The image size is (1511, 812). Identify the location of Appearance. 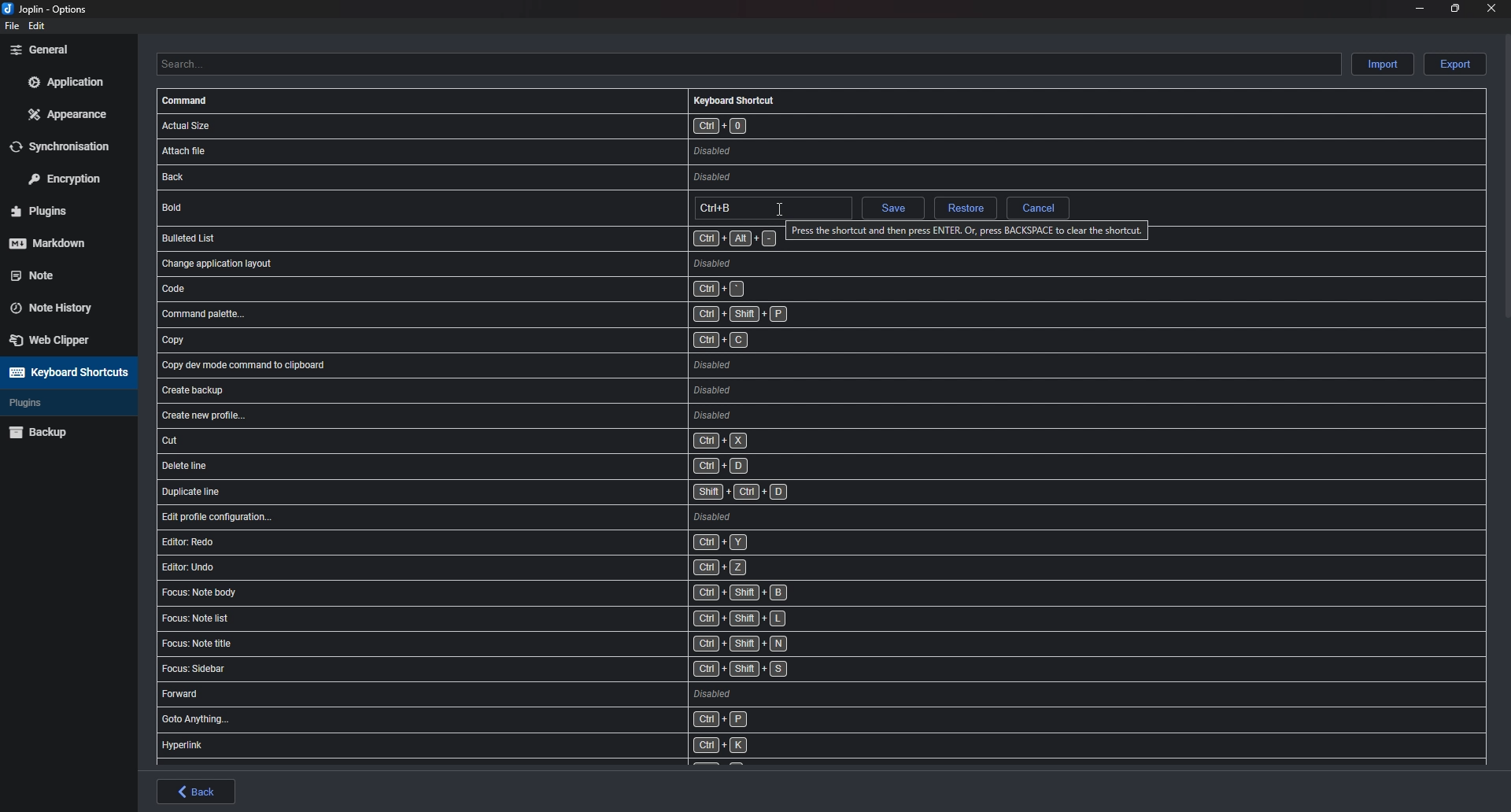
(69, 113).